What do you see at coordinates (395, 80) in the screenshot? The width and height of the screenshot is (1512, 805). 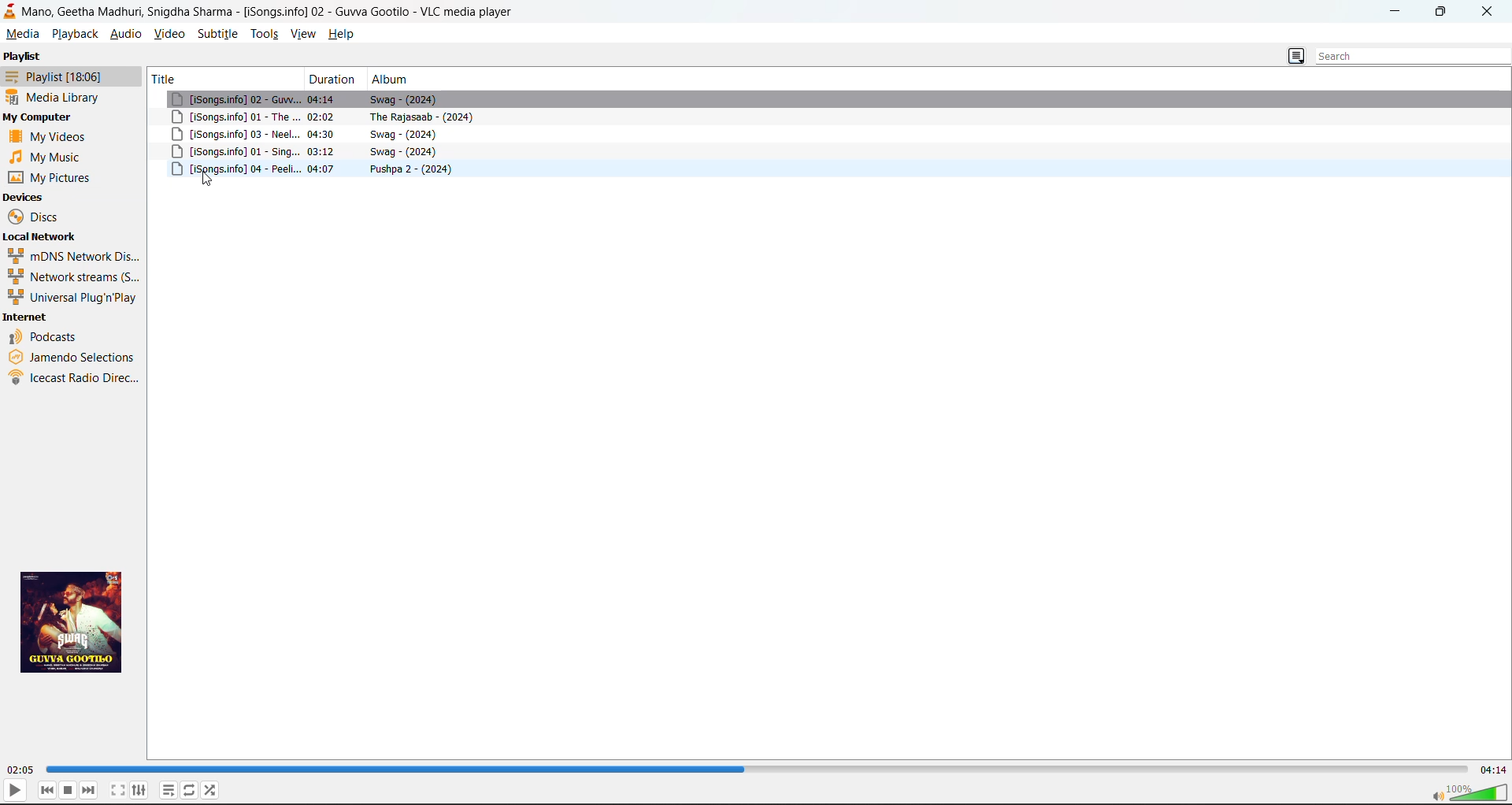 I see `album` at bounding box center [395, 80].